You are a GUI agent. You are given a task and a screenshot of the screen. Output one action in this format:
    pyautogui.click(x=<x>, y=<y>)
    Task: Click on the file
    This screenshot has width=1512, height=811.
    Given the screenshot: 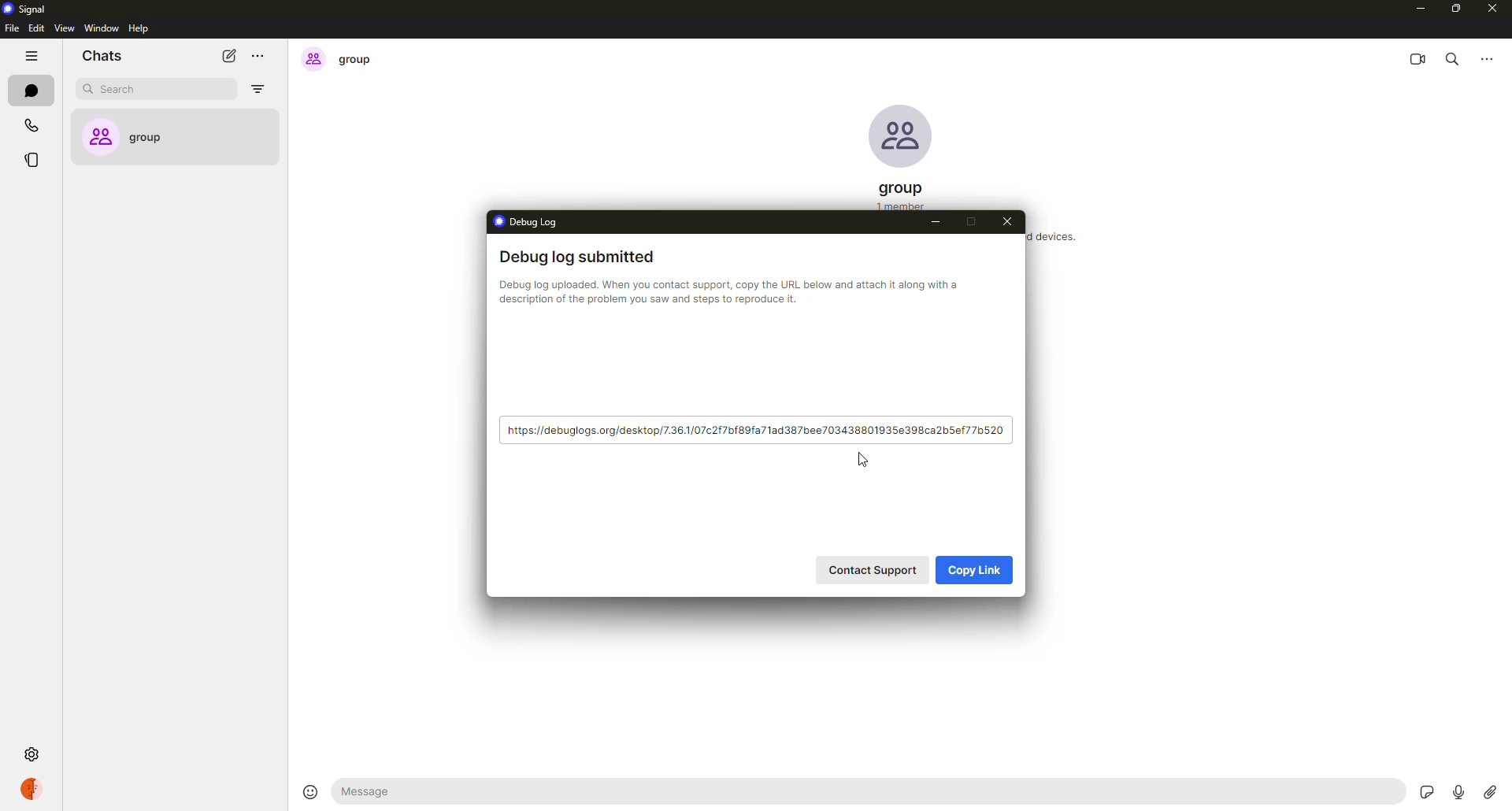 What is the action you would take?
    pyautogui.click(x=11, y=30)
    